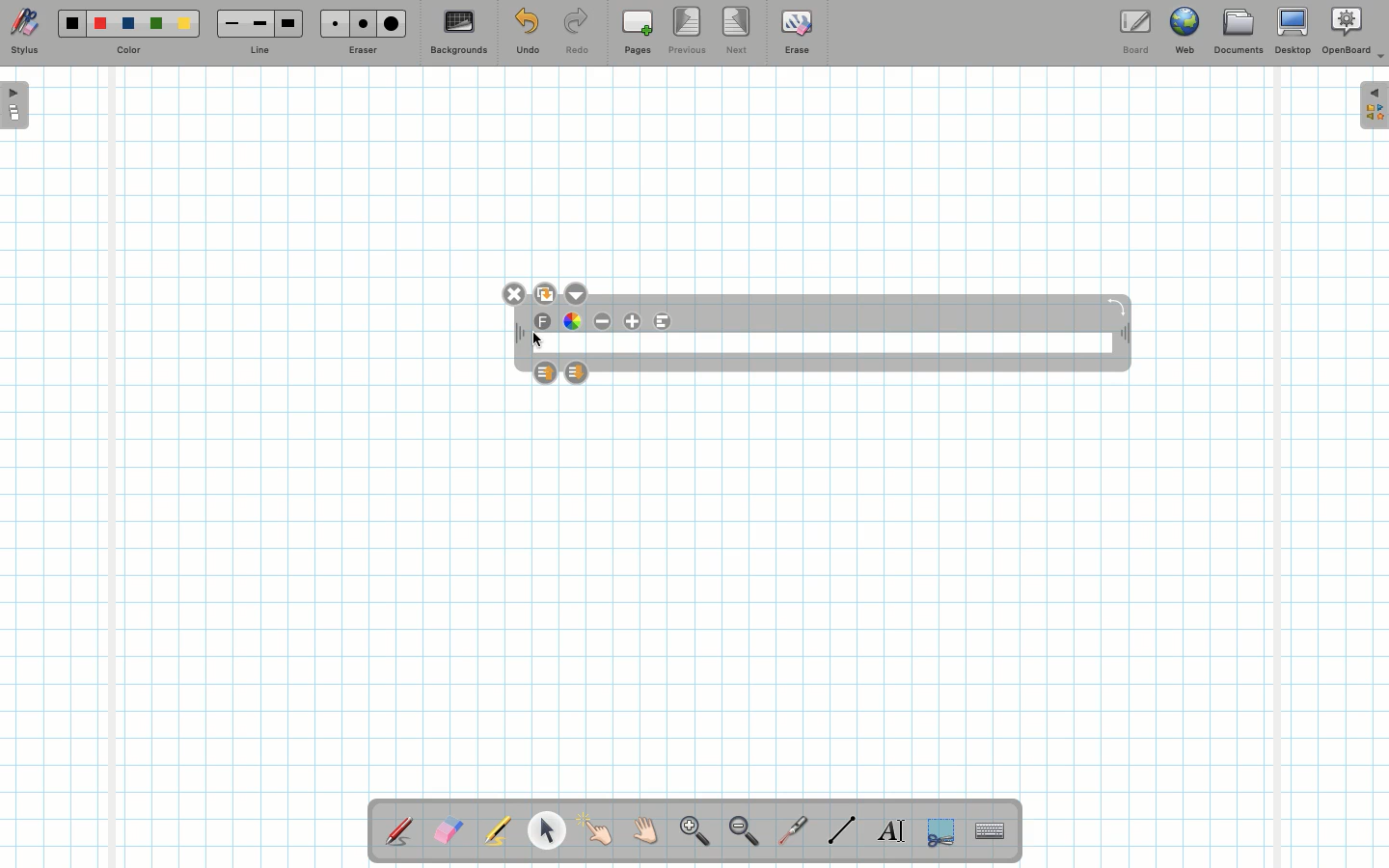 Image resolution: width=1389 pixels, height=868 pixels. Describe the element at coordinates (1295, 31) in the screenshot. I see `Desktop` at that location.